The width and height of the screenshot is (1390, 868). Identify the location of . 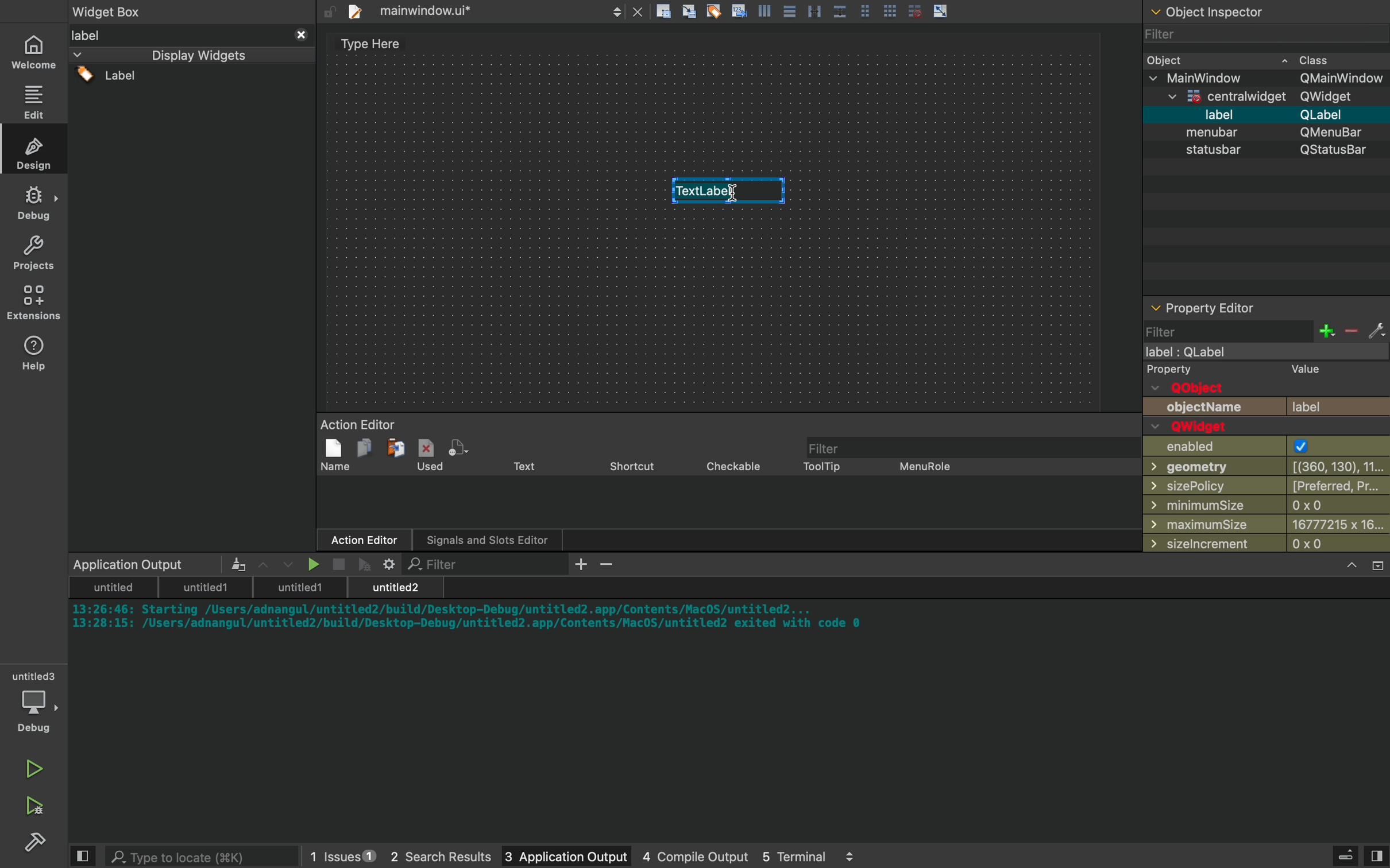
(1259, 98).